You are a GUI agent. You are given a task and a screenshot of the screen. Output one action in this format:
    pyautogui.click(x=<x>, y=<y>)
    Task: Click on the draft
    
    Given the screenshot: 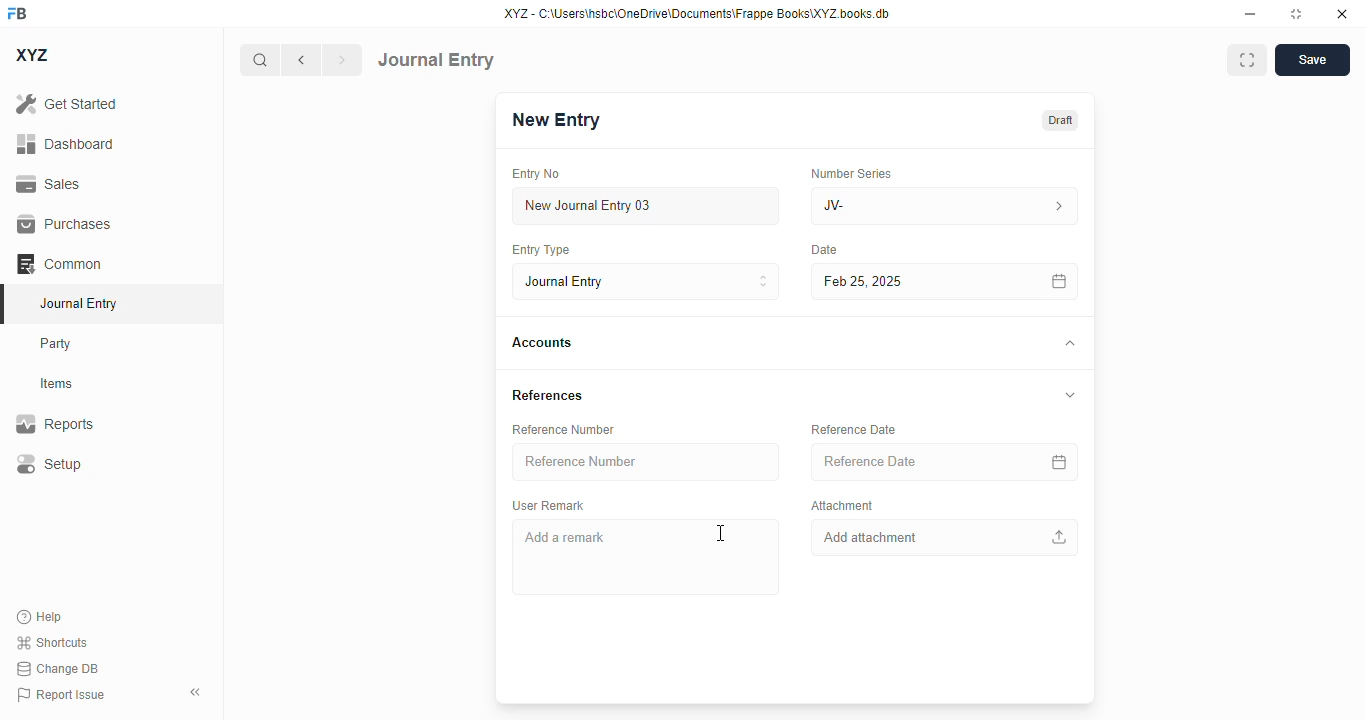 What is the action you would take?
    pyautogui.click(x=1061, y=121)
    